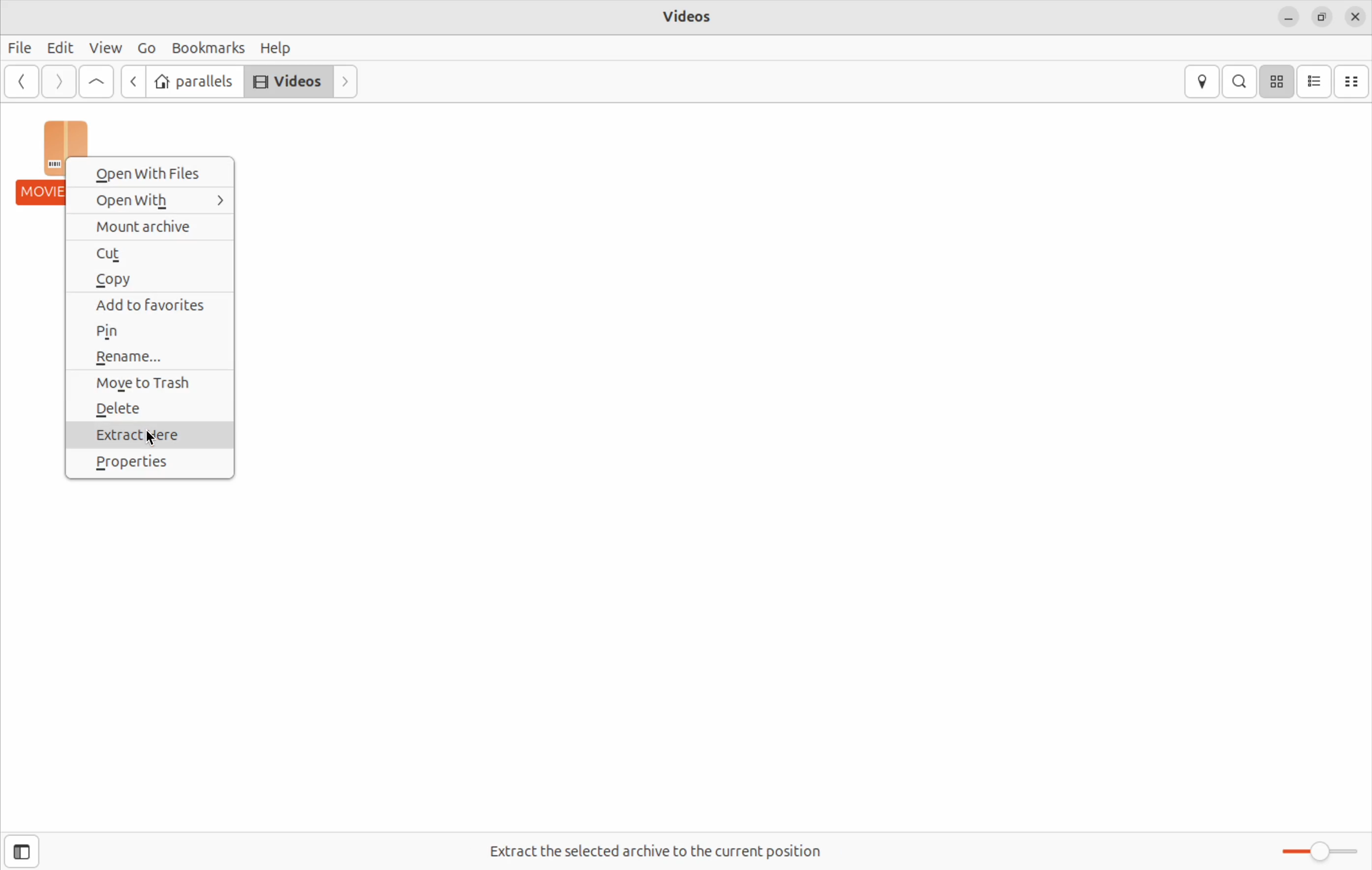 Image resolution: width=1372 pixels, height=870 pixels. What do you see at coordinates (690, 16) in the screenshot?
I see `vidoes` at bounding box center [690, 16].